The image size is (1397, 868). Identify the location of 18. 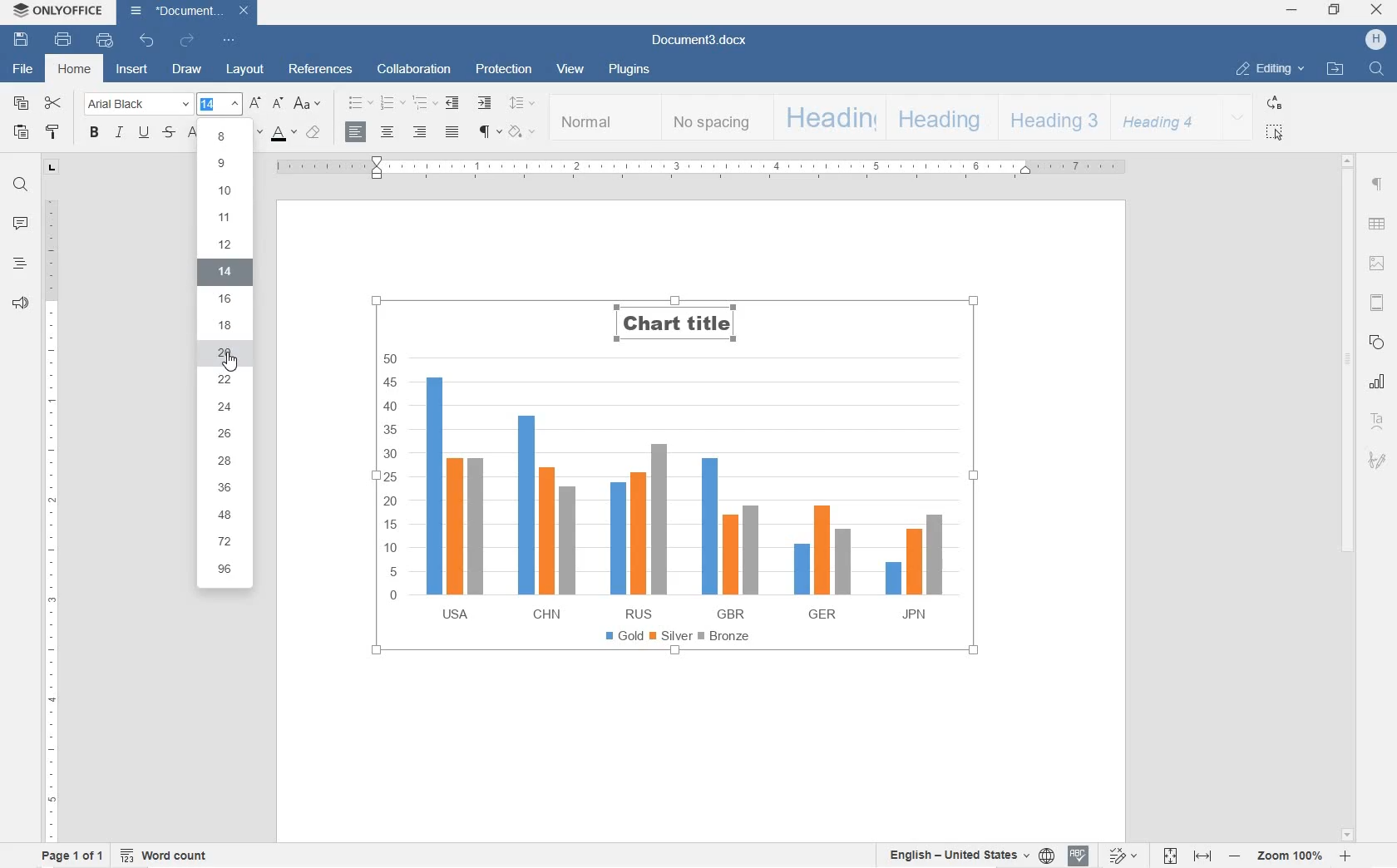
(223, 326).